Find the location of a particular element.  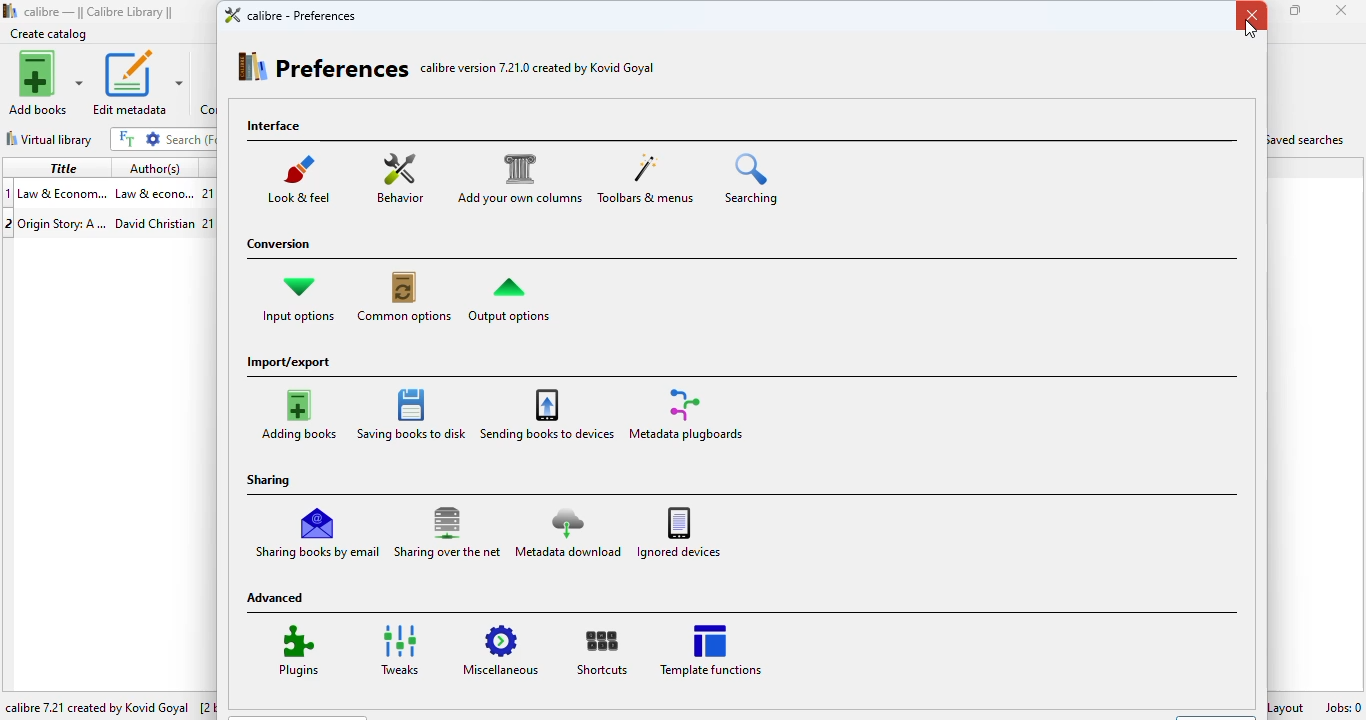

output options is located at coordinates (509, 297).